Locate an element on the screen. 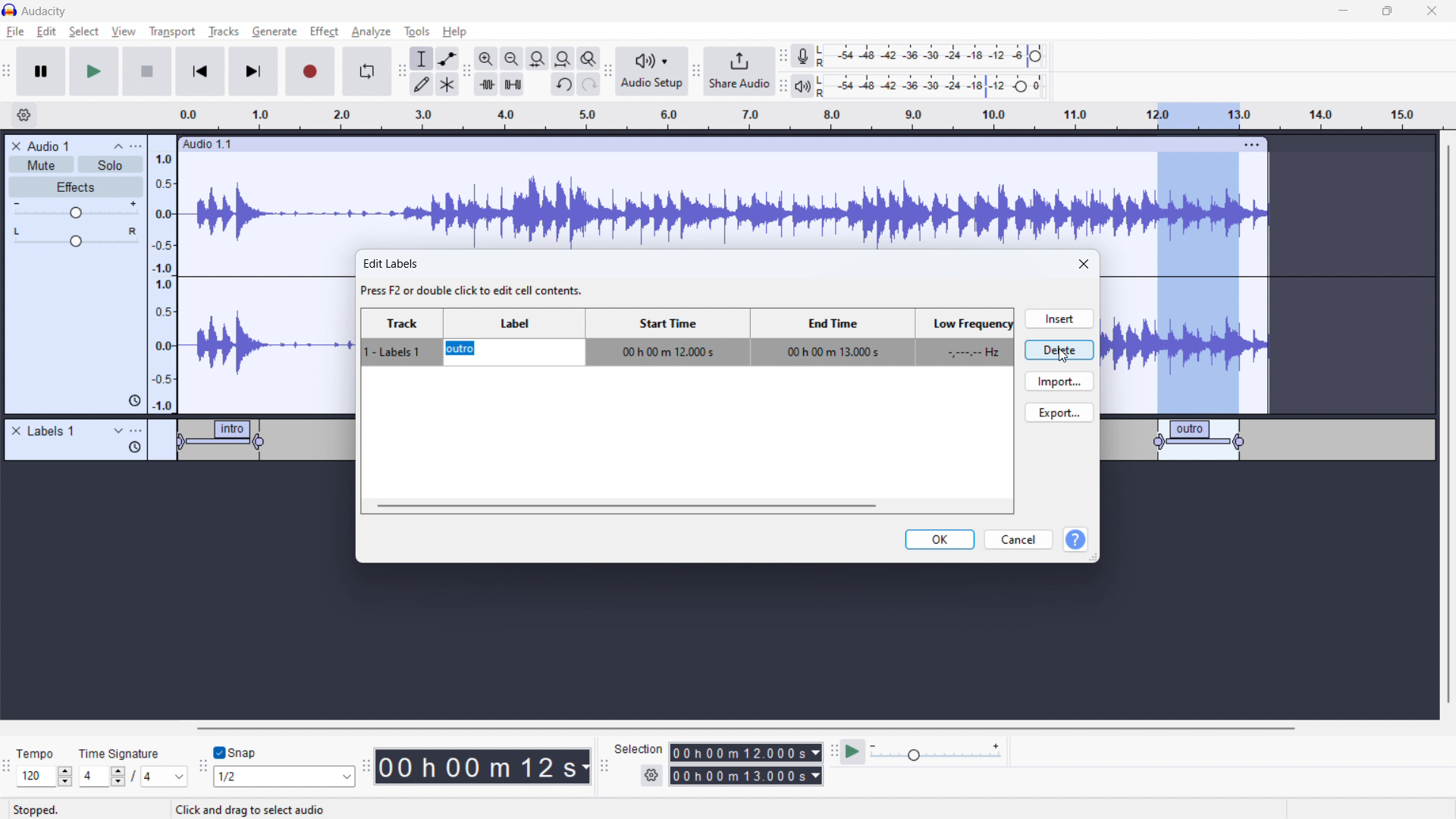 This screenshot has height=819, width=1456. share audio is located at coordinates (738, 71).